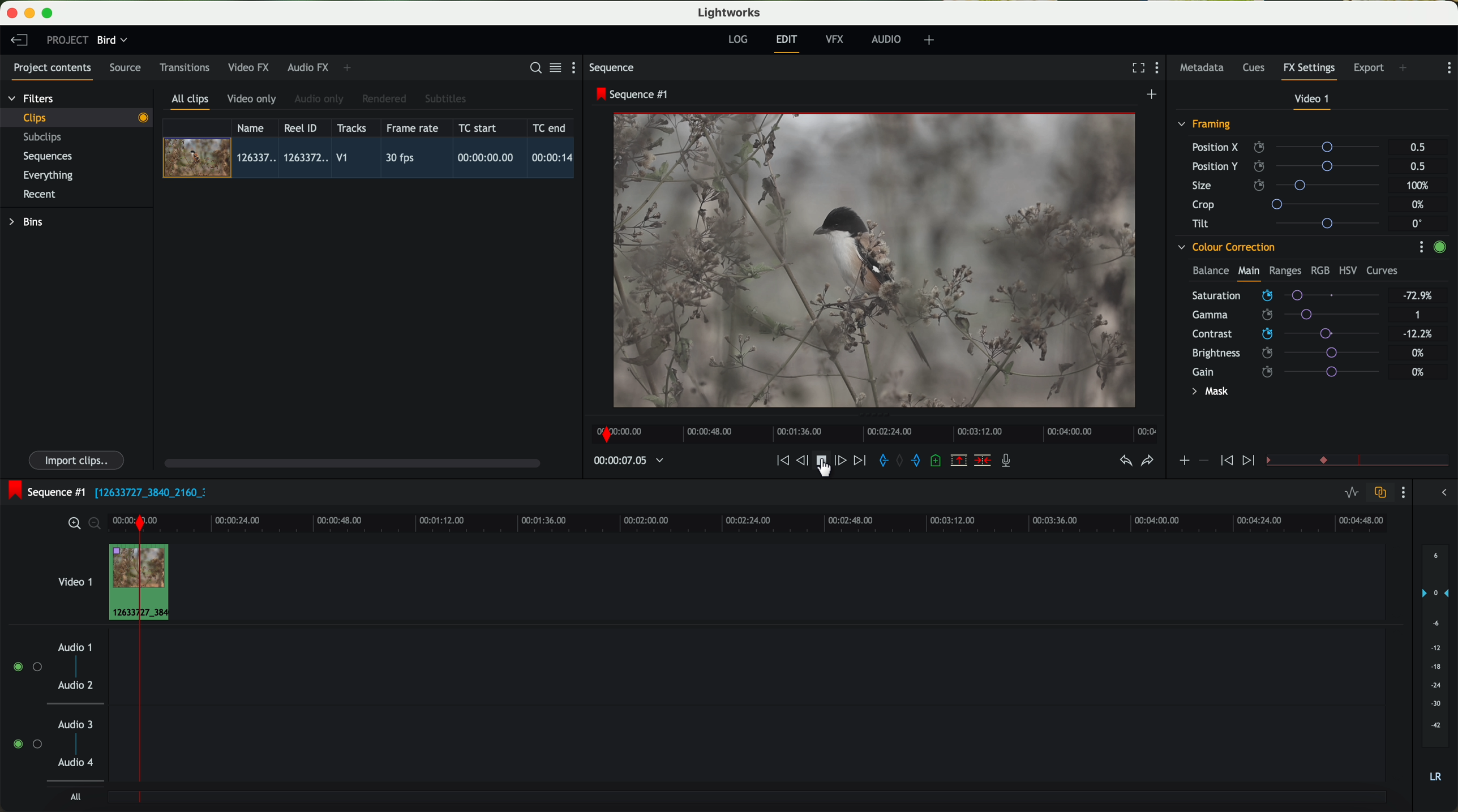 This screenshot has width=1458, height=812. Describe the element at coordinates (1439, 248) in the screenshot. I see `enable` at that location.